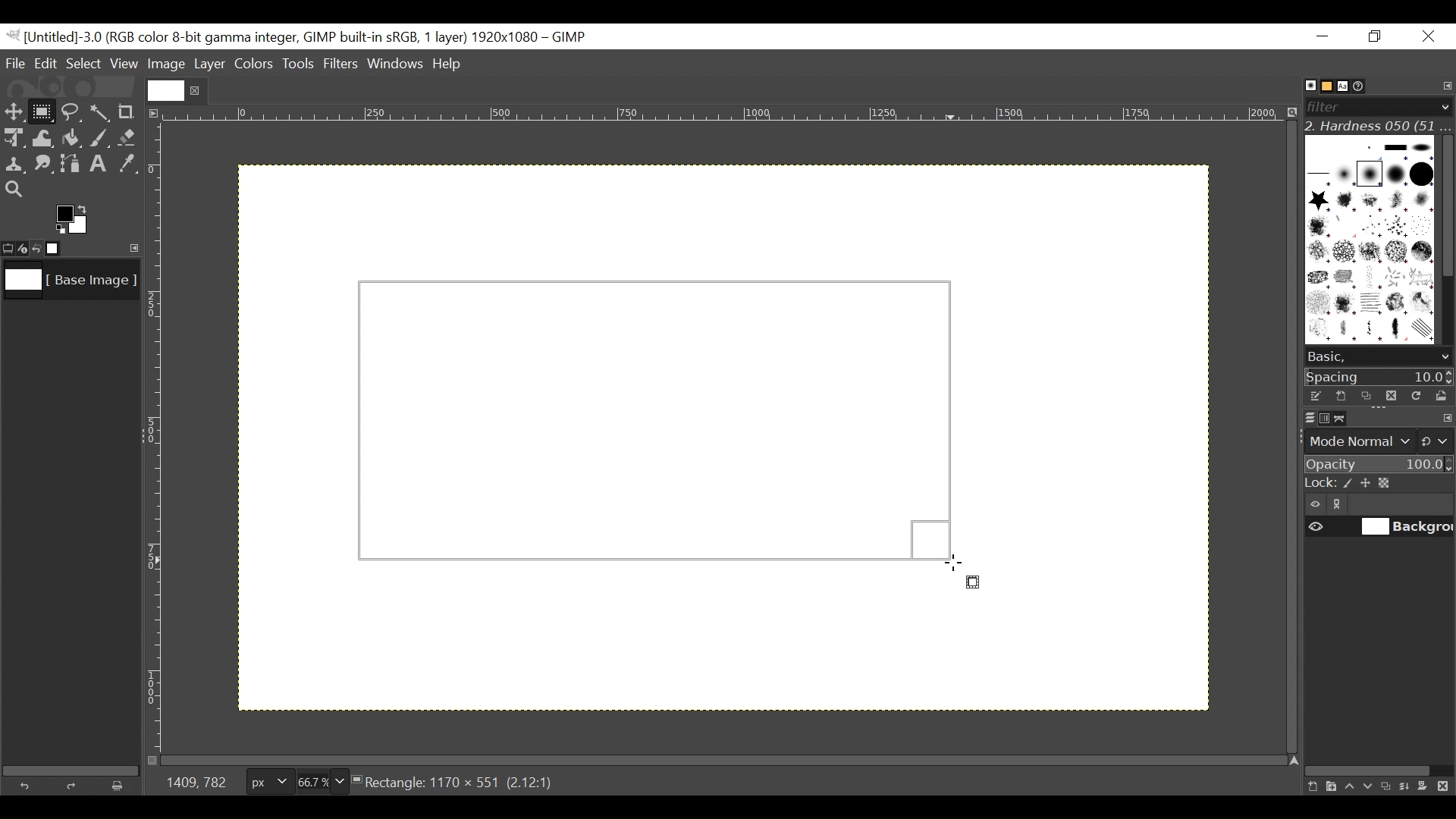 Image resolution: width=1456 pixels, height=819 pixels. I want to click on Image, so click(166, 64).